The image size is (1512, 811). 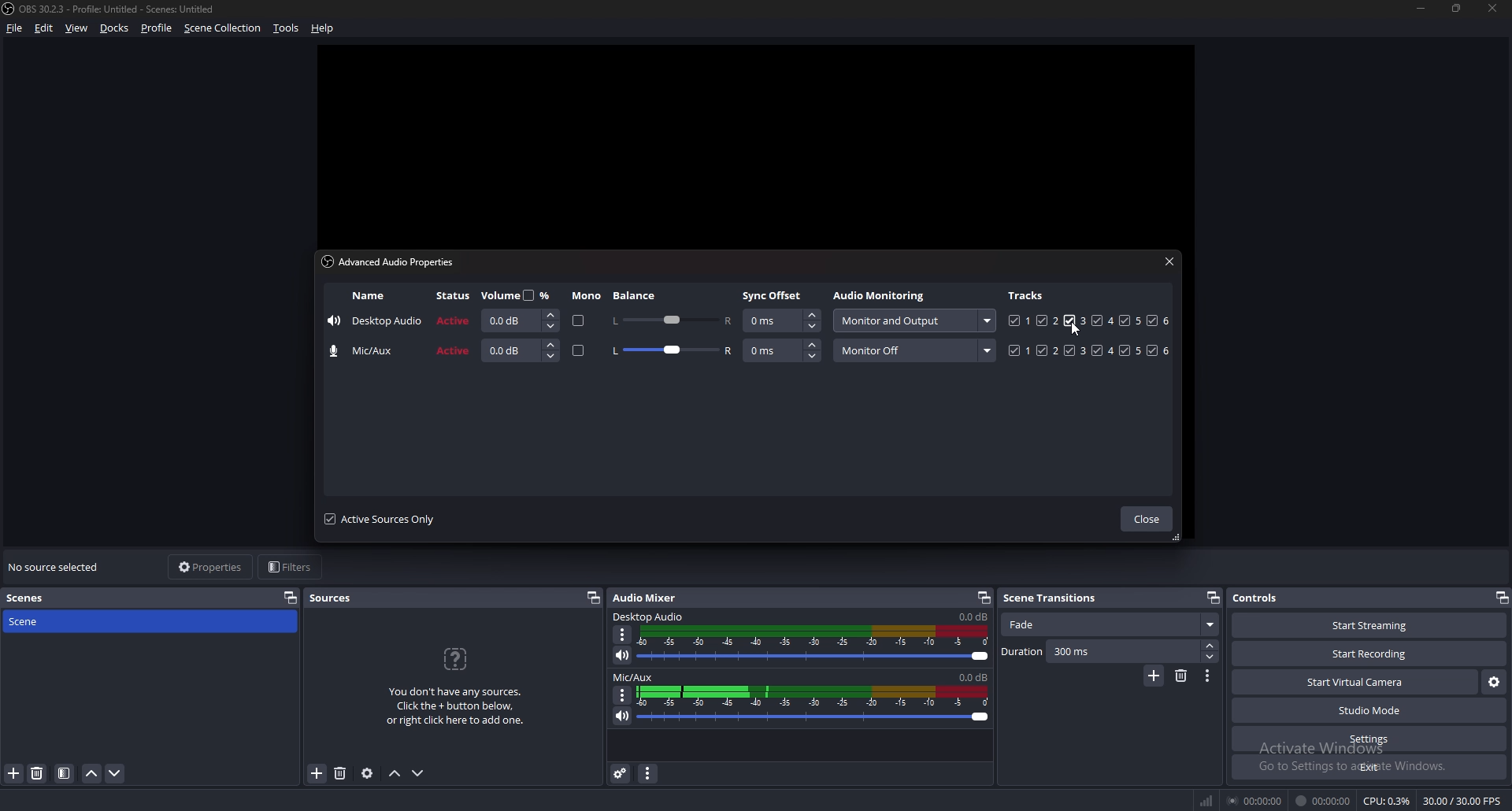 I want to click on track, so click(x=1069, y=320).